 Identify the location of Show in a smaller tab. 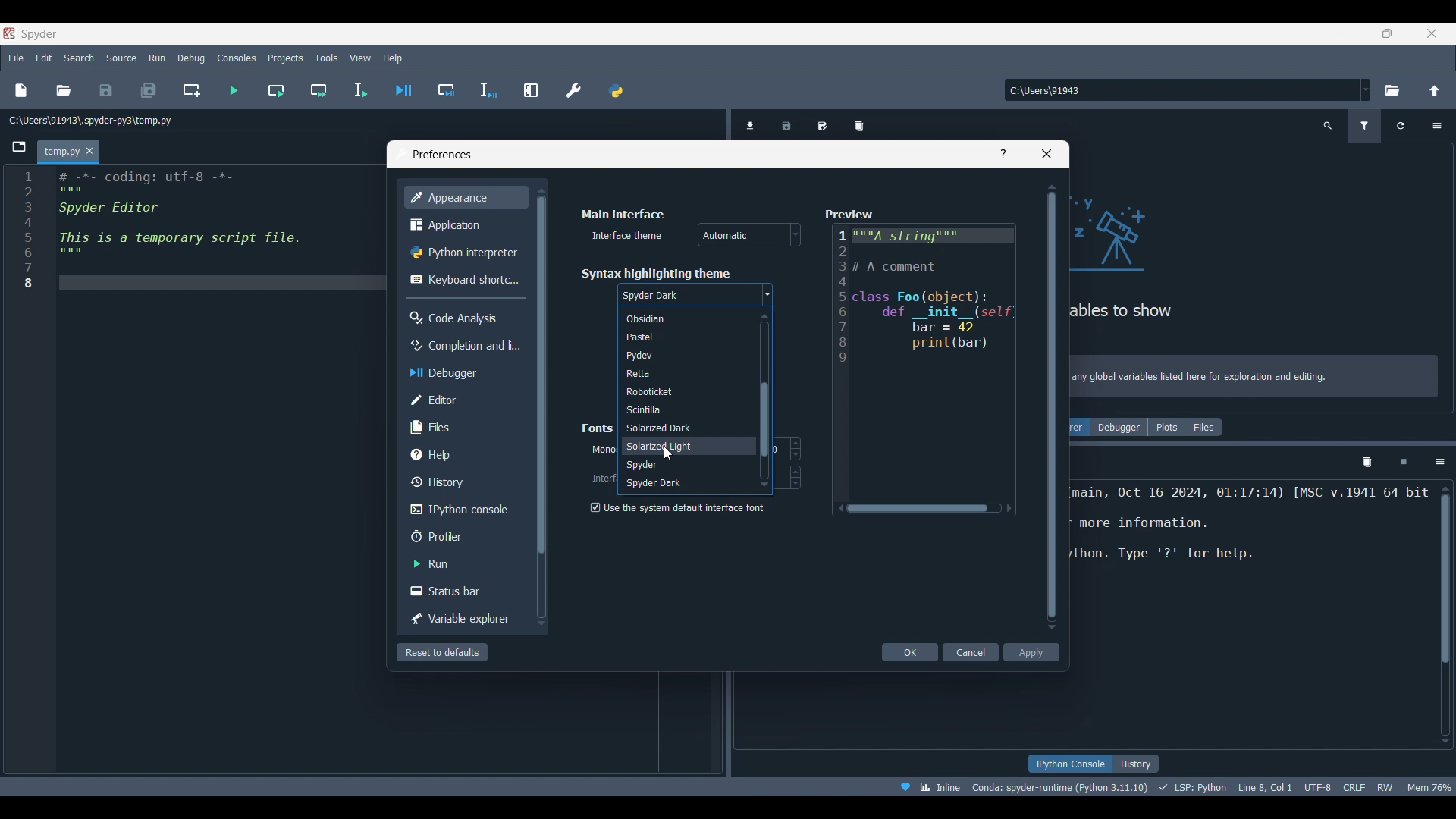
(1387, 33).